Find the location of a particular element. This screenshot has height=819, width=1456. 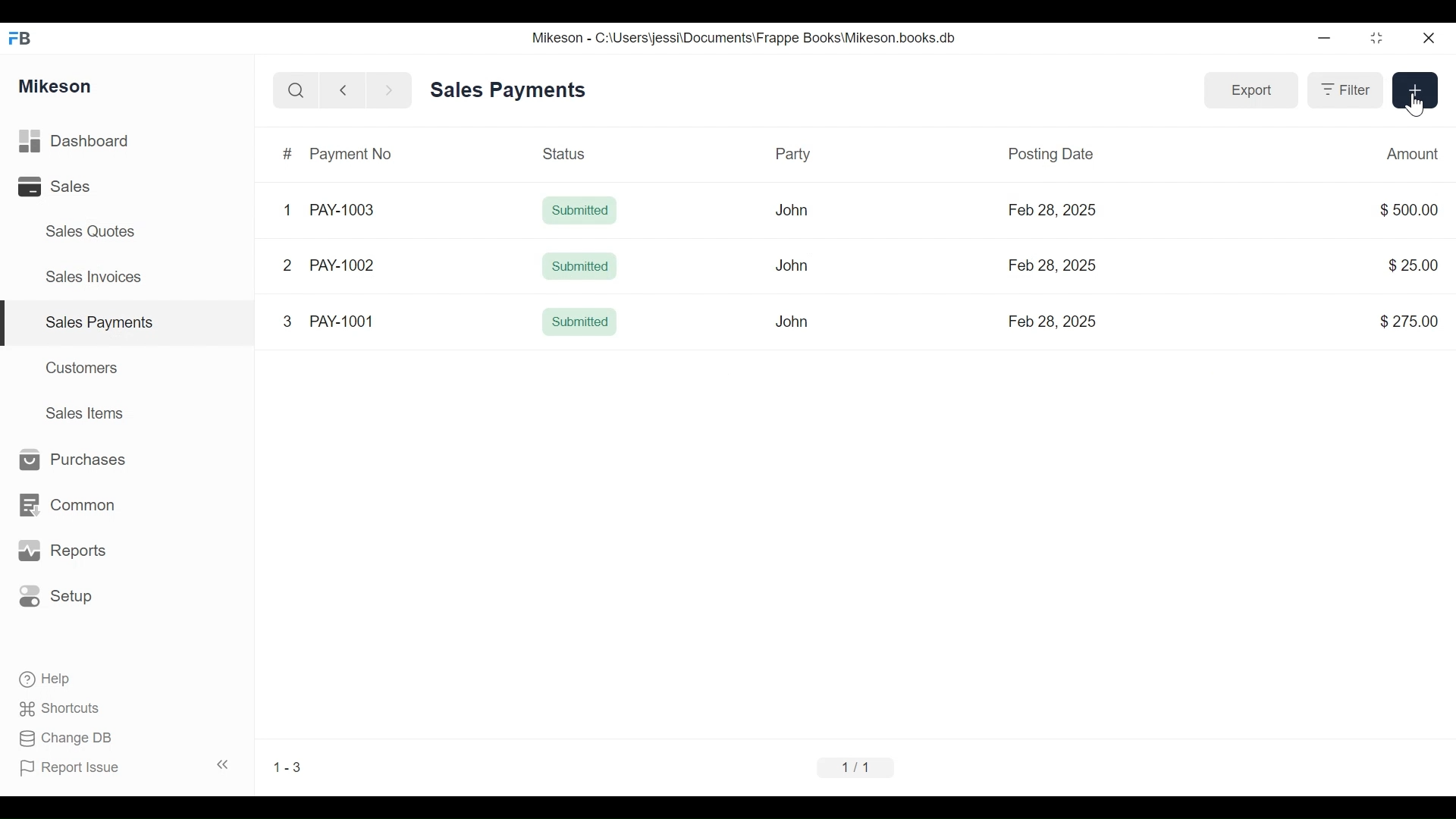

John is located at coordinates (790, 209).